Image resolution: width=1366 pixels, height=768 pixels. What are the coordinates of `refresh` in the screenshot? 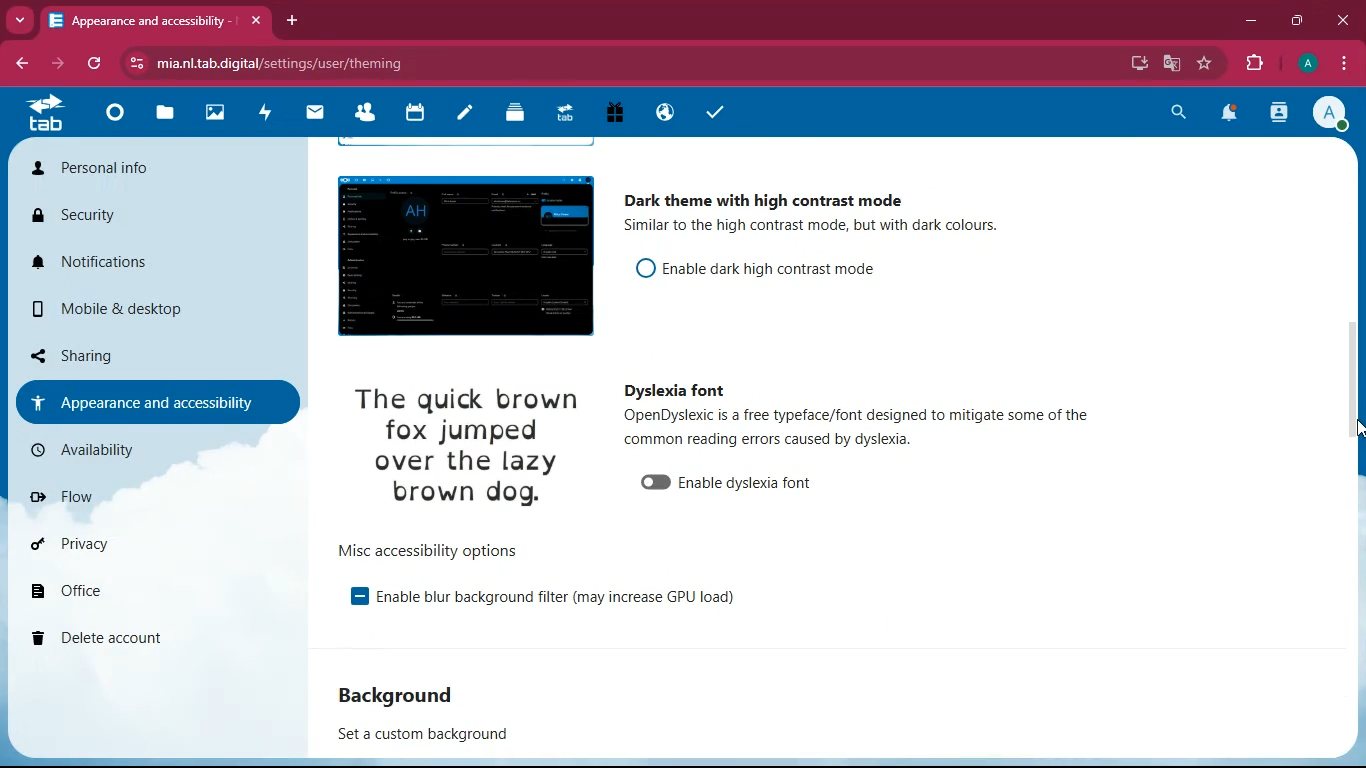 It's located at (98, 63).